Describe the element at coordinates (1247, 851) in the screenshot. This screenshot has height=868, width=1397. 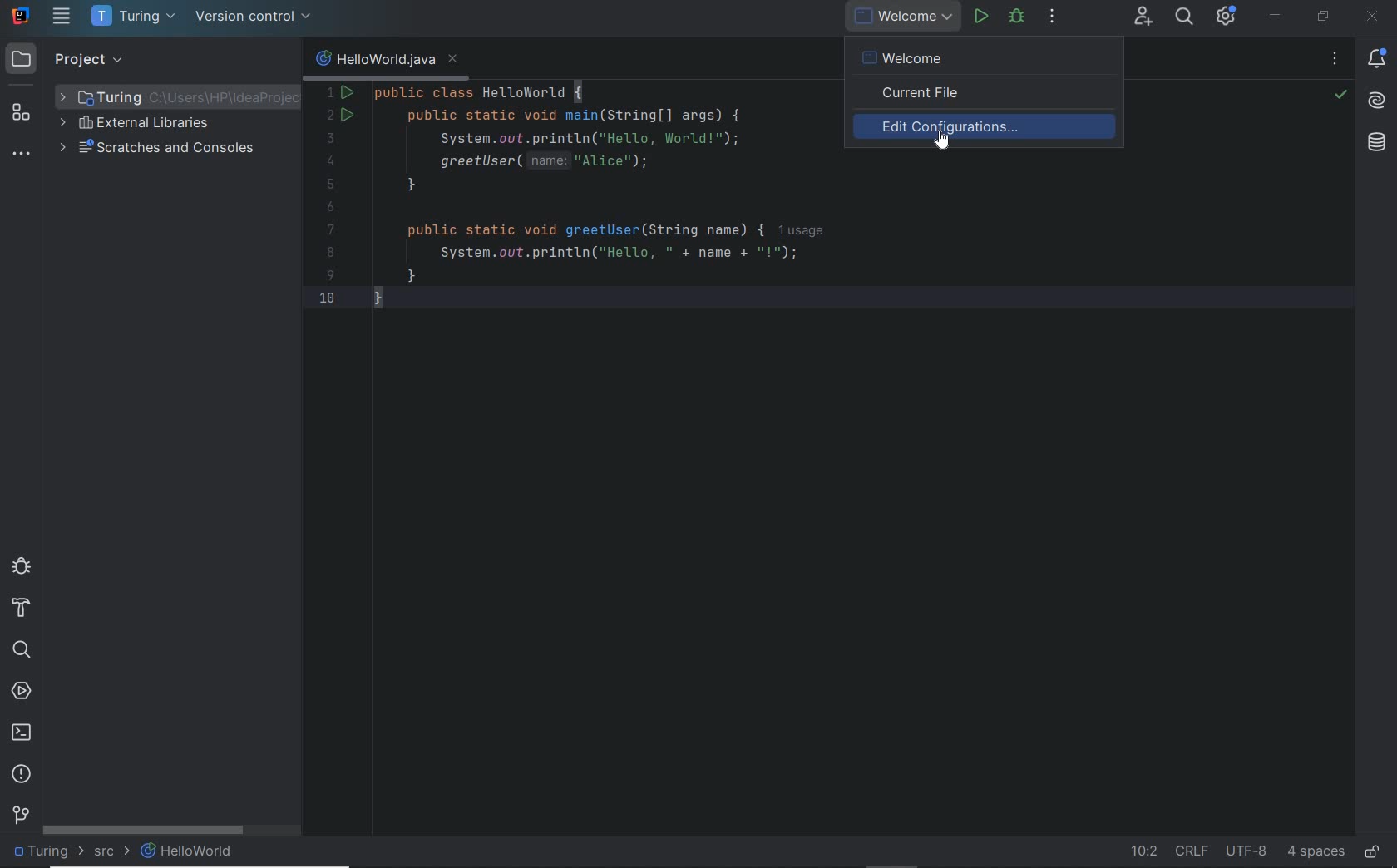
I see `file encoding` at that location.